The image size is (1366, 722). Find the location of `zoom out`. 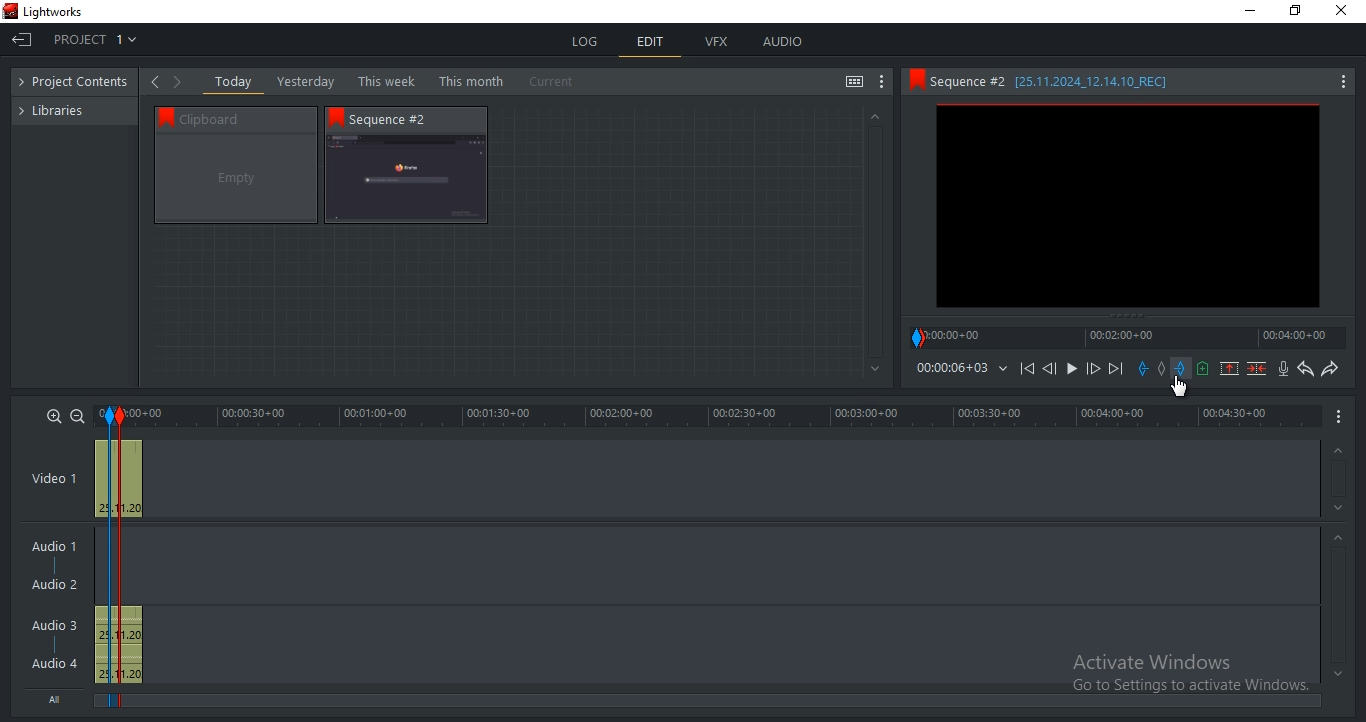

zoom out is located at coordinates (77, 416).